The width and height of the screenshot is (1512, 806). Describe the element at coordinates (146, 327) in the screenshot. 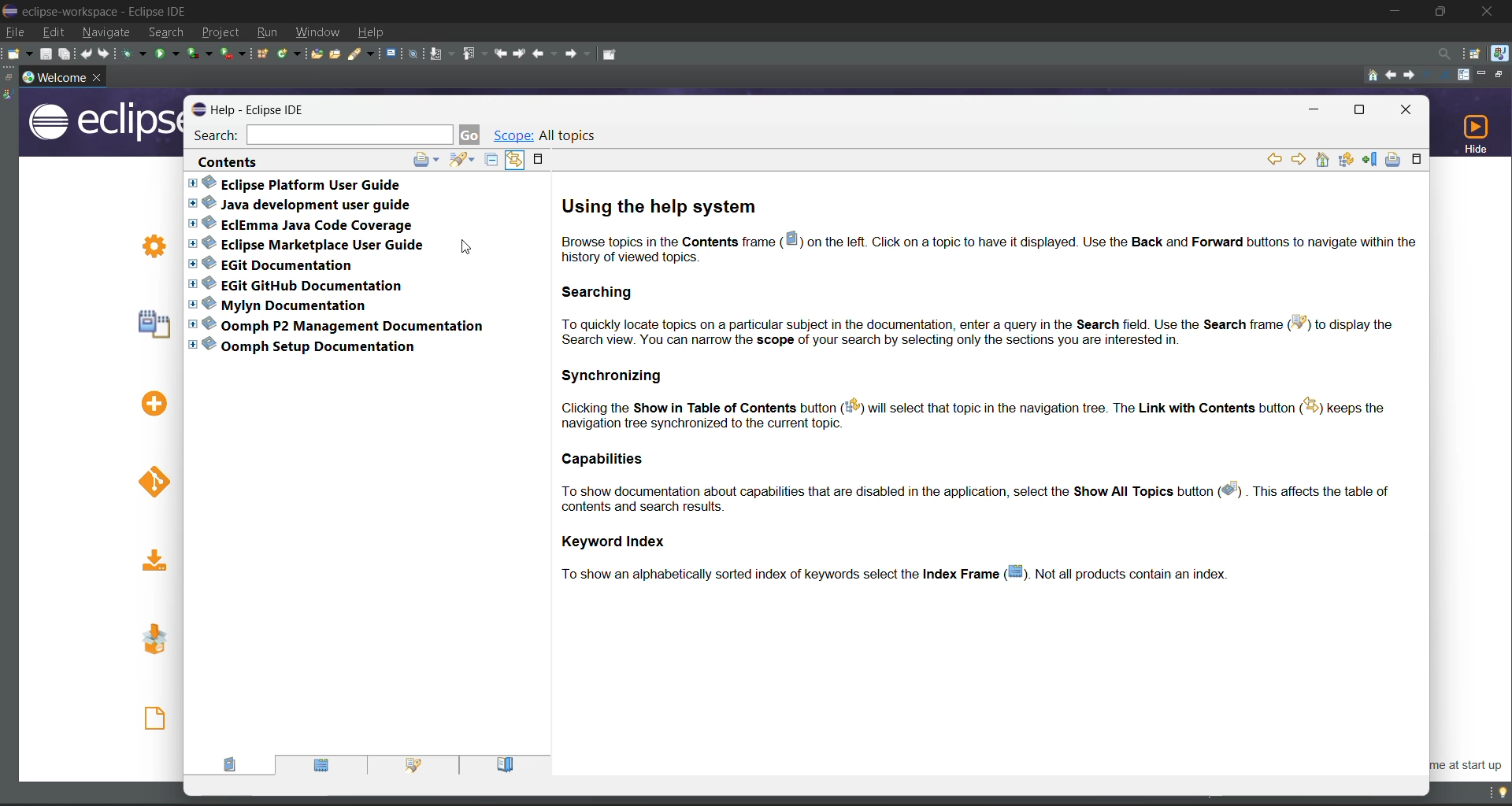

I see `Create a hello world` at that location.